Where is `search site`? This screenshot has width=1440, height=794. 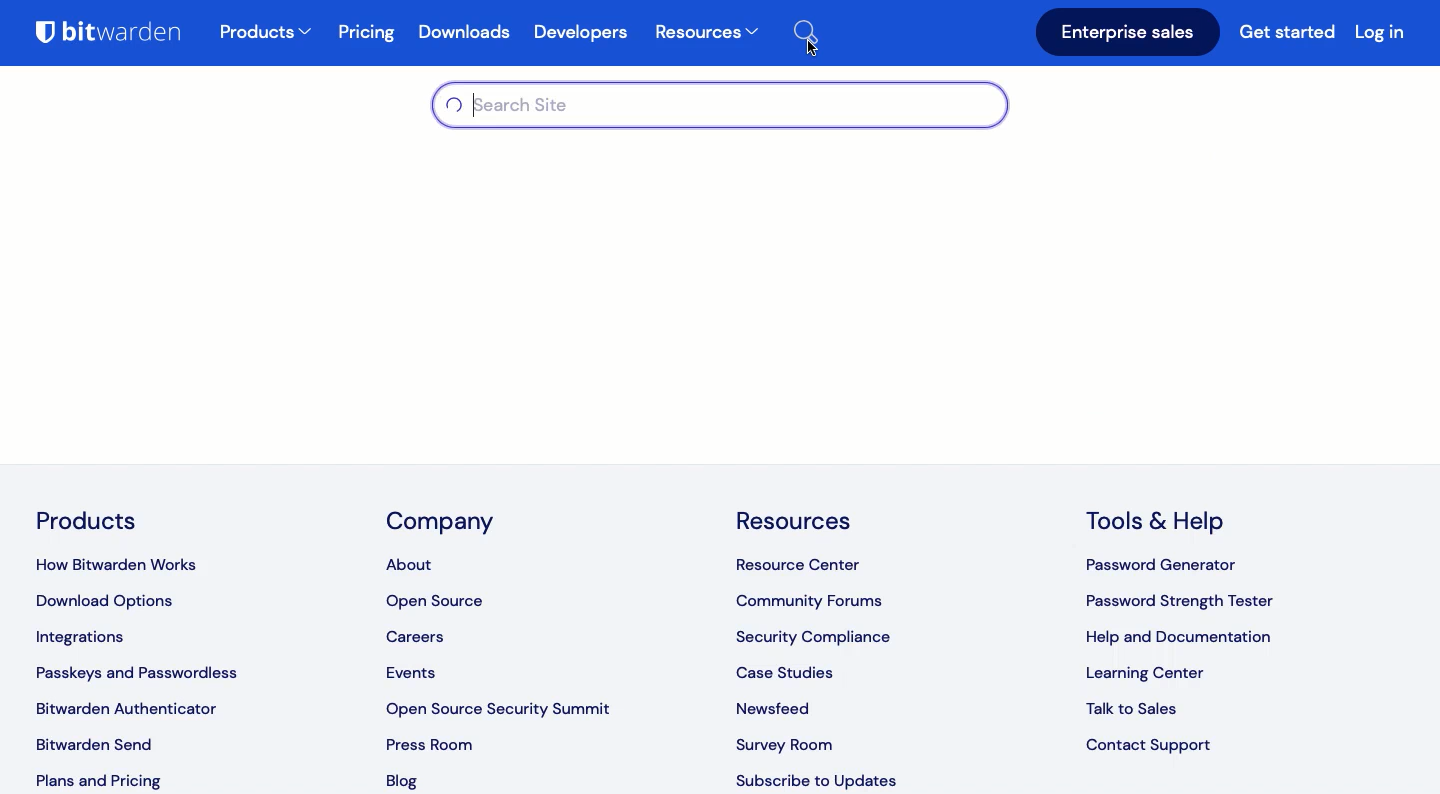 search site is located at coordinates (726, 108).